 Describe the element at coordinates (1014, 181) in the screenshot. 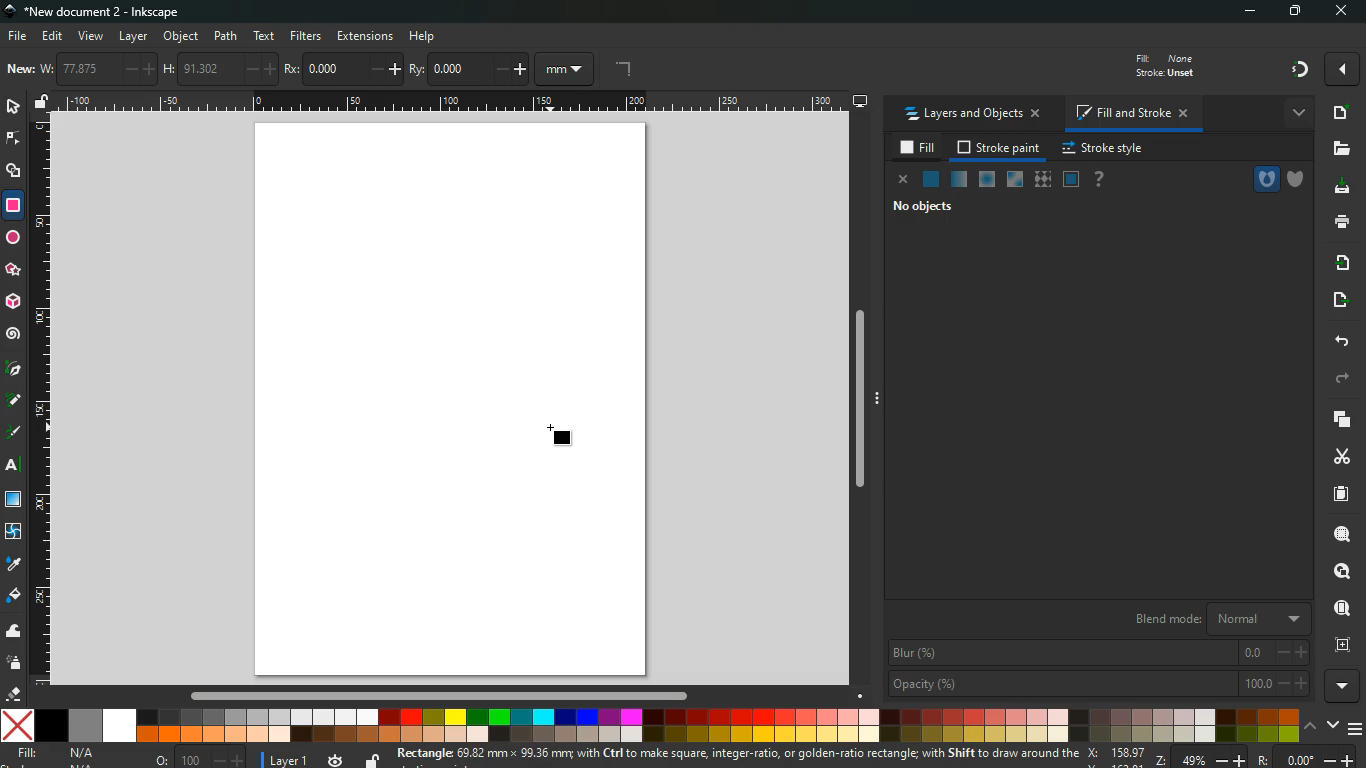

I see `window` at that location.